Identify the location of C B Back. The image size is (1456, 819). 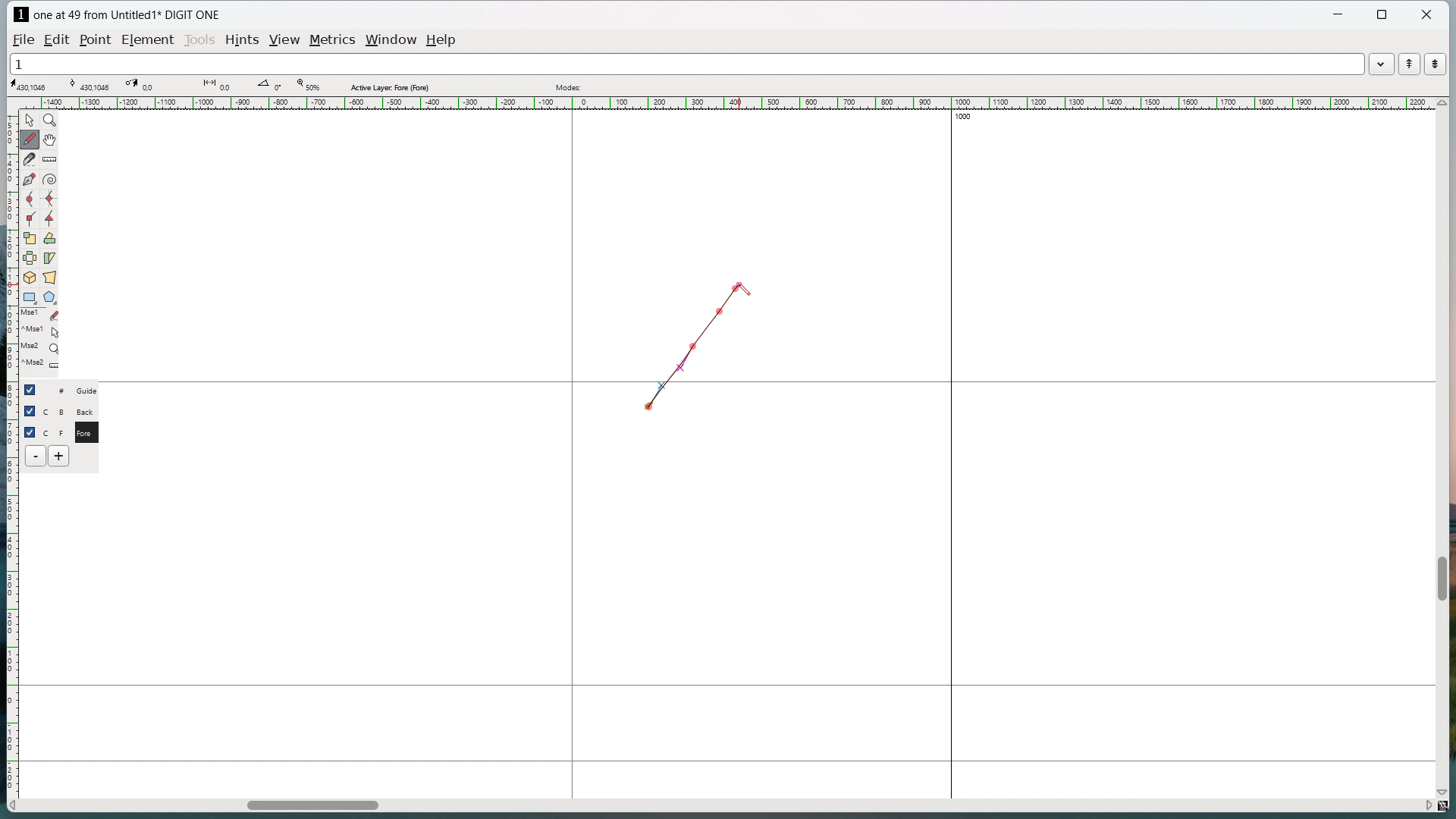
(71, 409).